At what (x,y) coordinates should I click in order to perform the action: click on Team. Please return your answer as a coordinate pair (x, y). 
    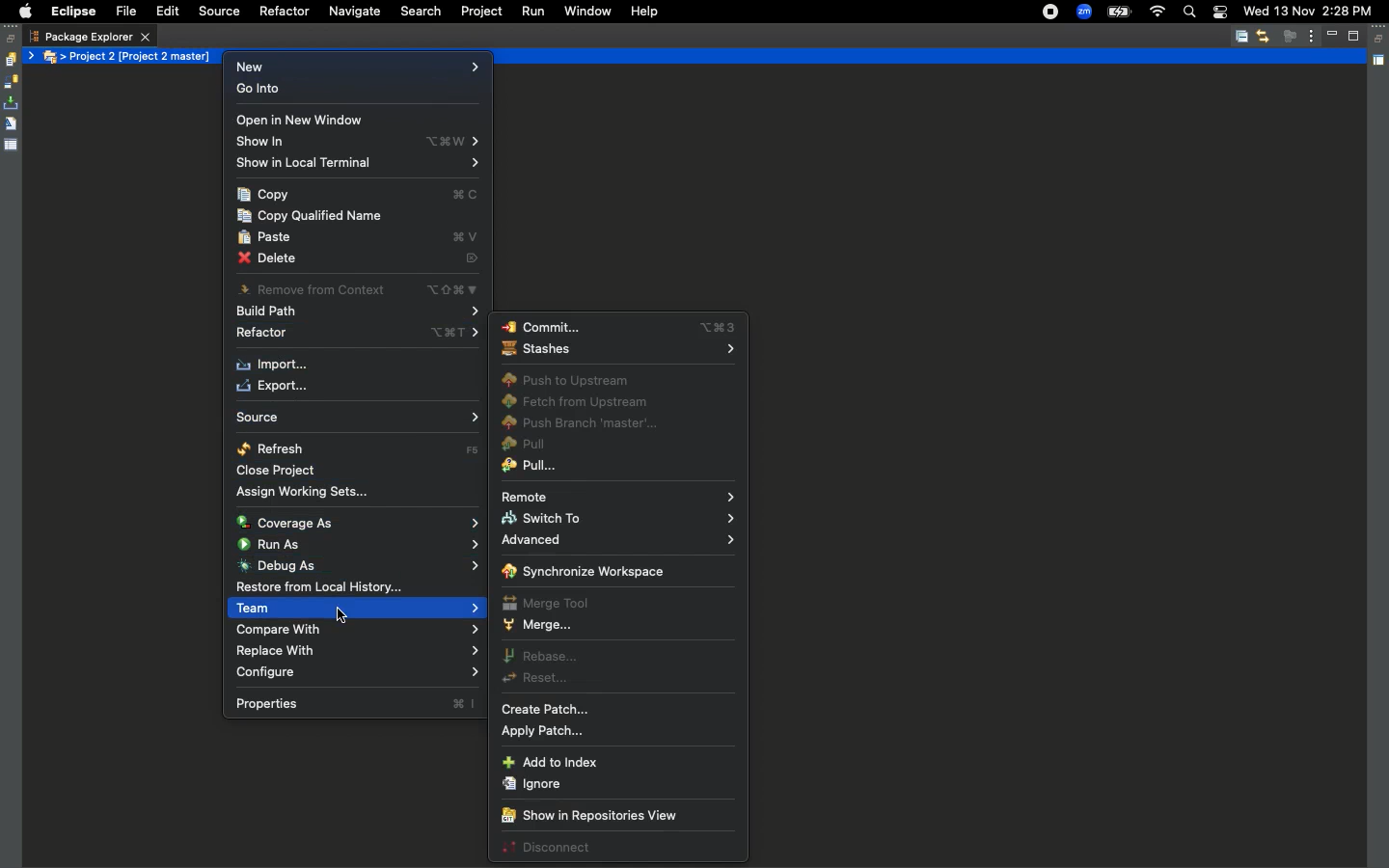
    Looking at the image, I should click on (358, 609).